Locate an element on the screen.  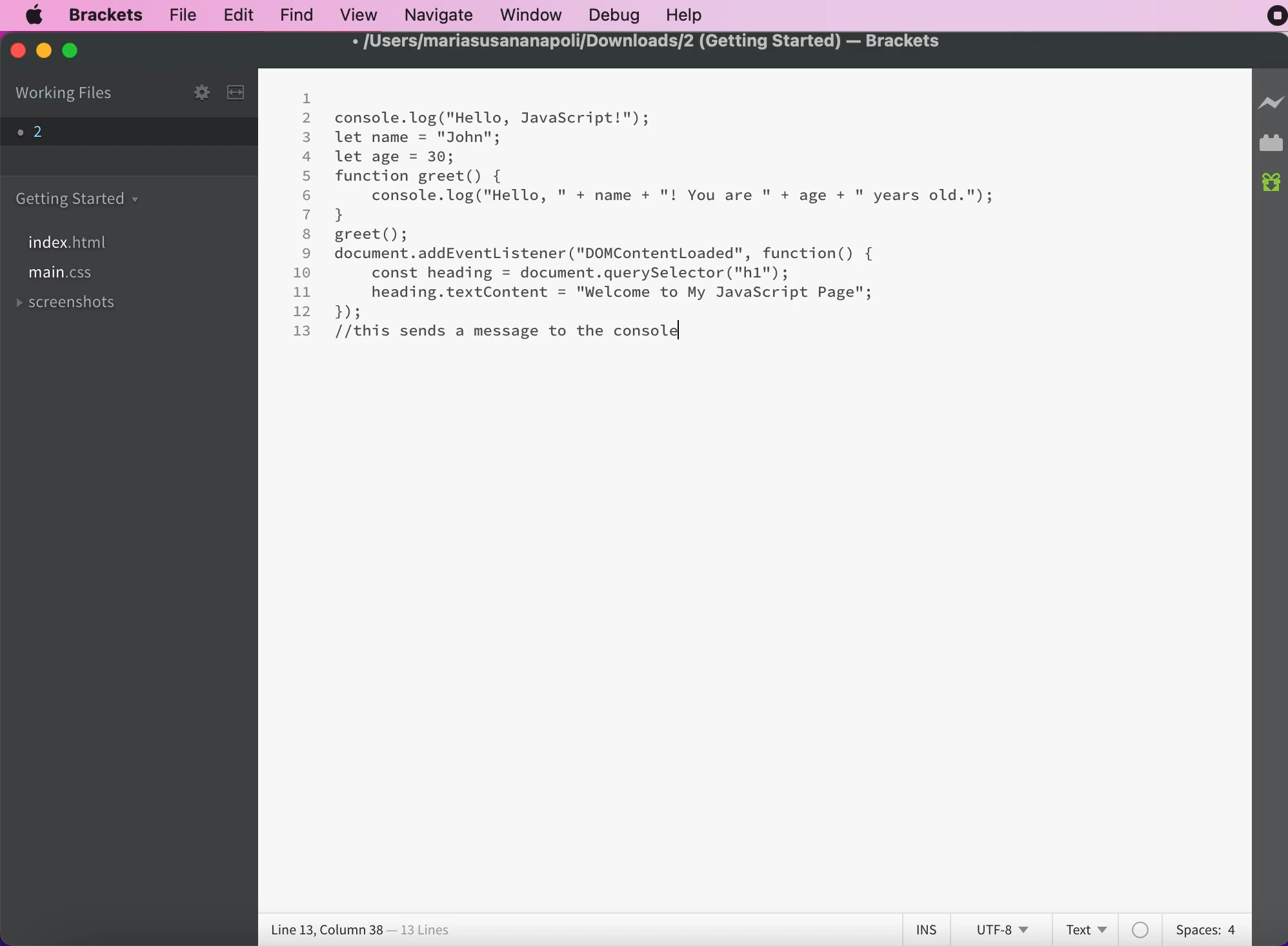
ins is located at coordinates (923, 927).